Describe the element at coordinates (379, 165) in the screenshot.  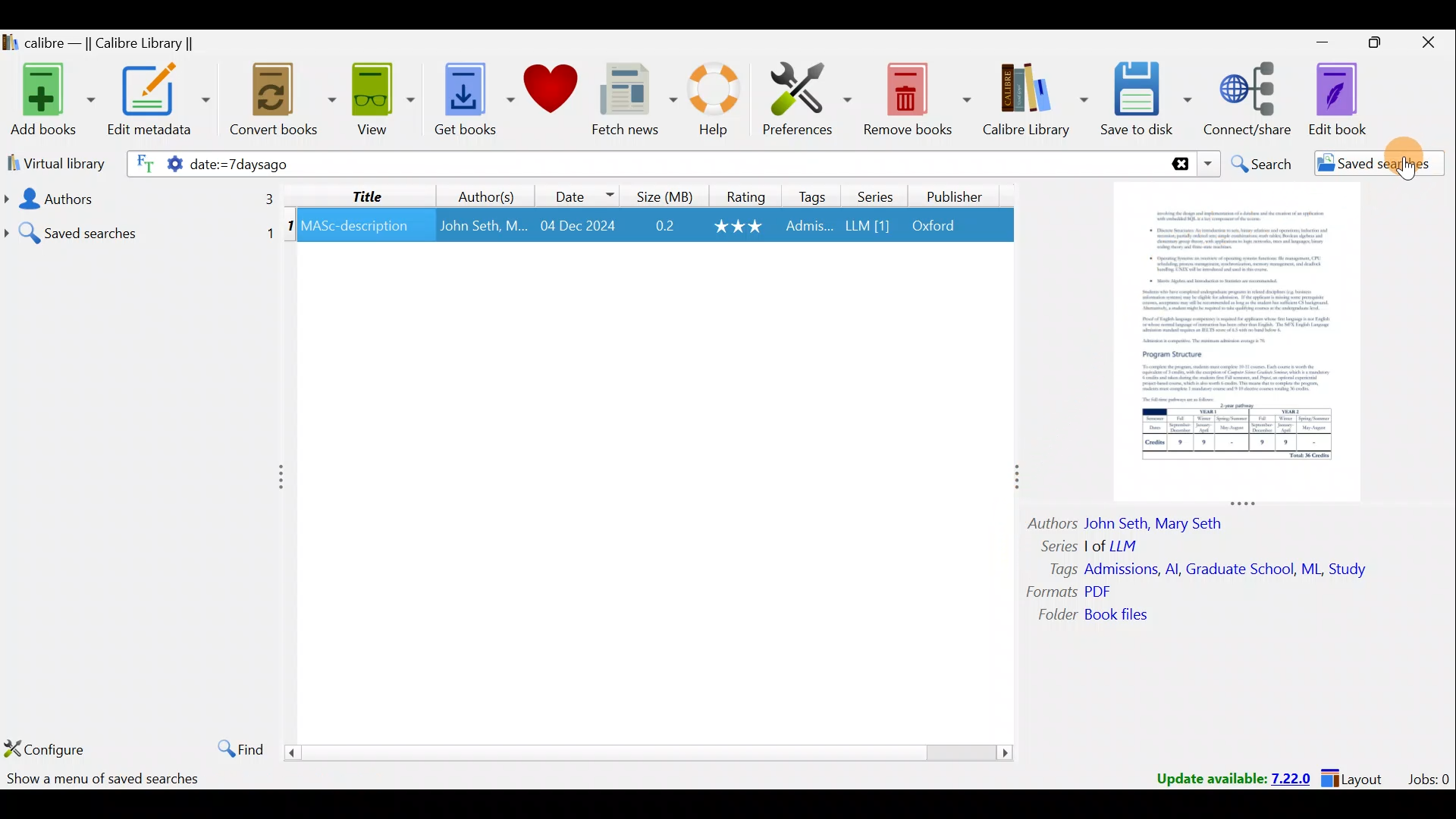
I see `date:=7daysago` at that location.